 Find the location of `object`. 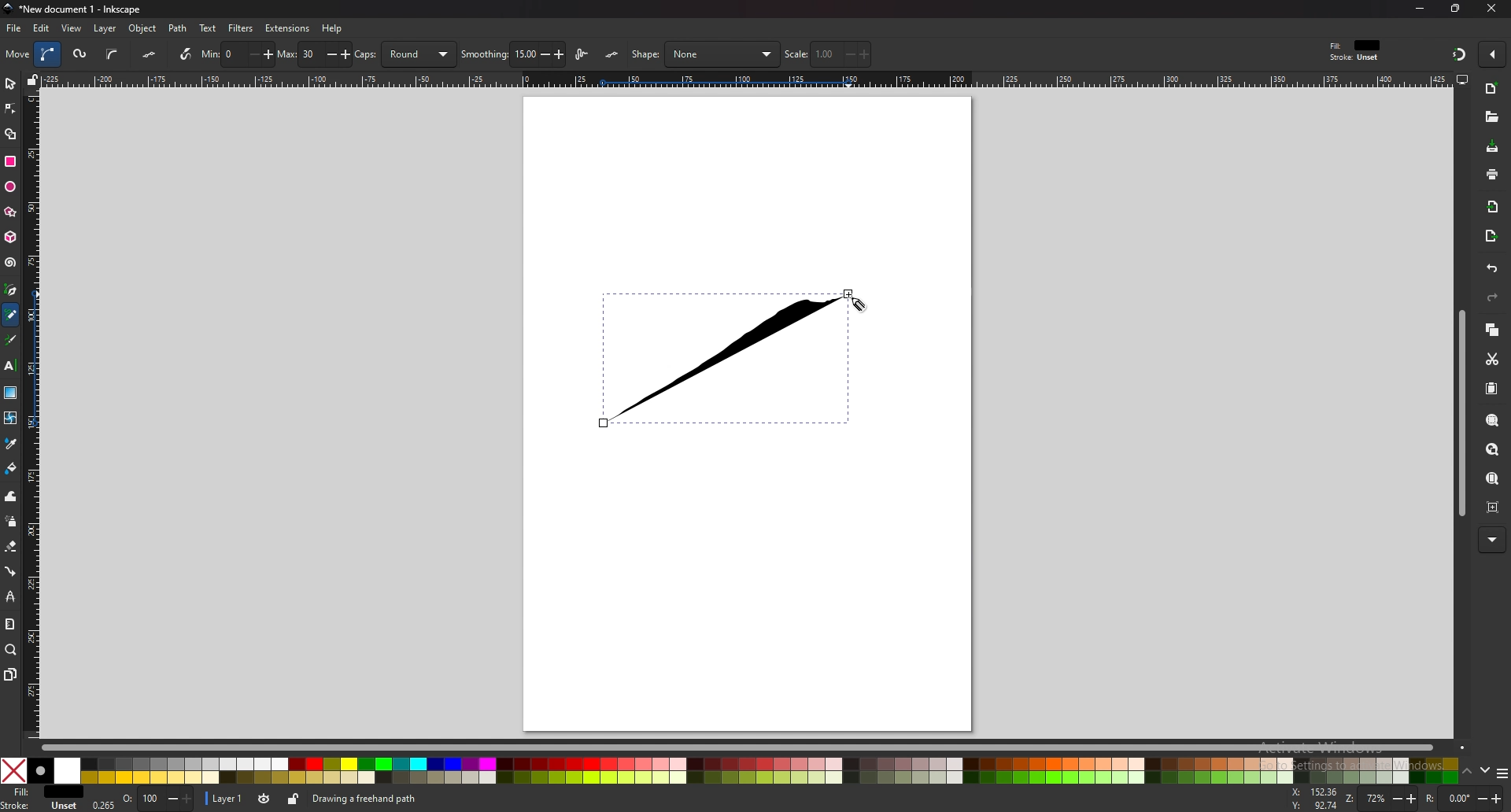

object is located at coordinates (144, 28).